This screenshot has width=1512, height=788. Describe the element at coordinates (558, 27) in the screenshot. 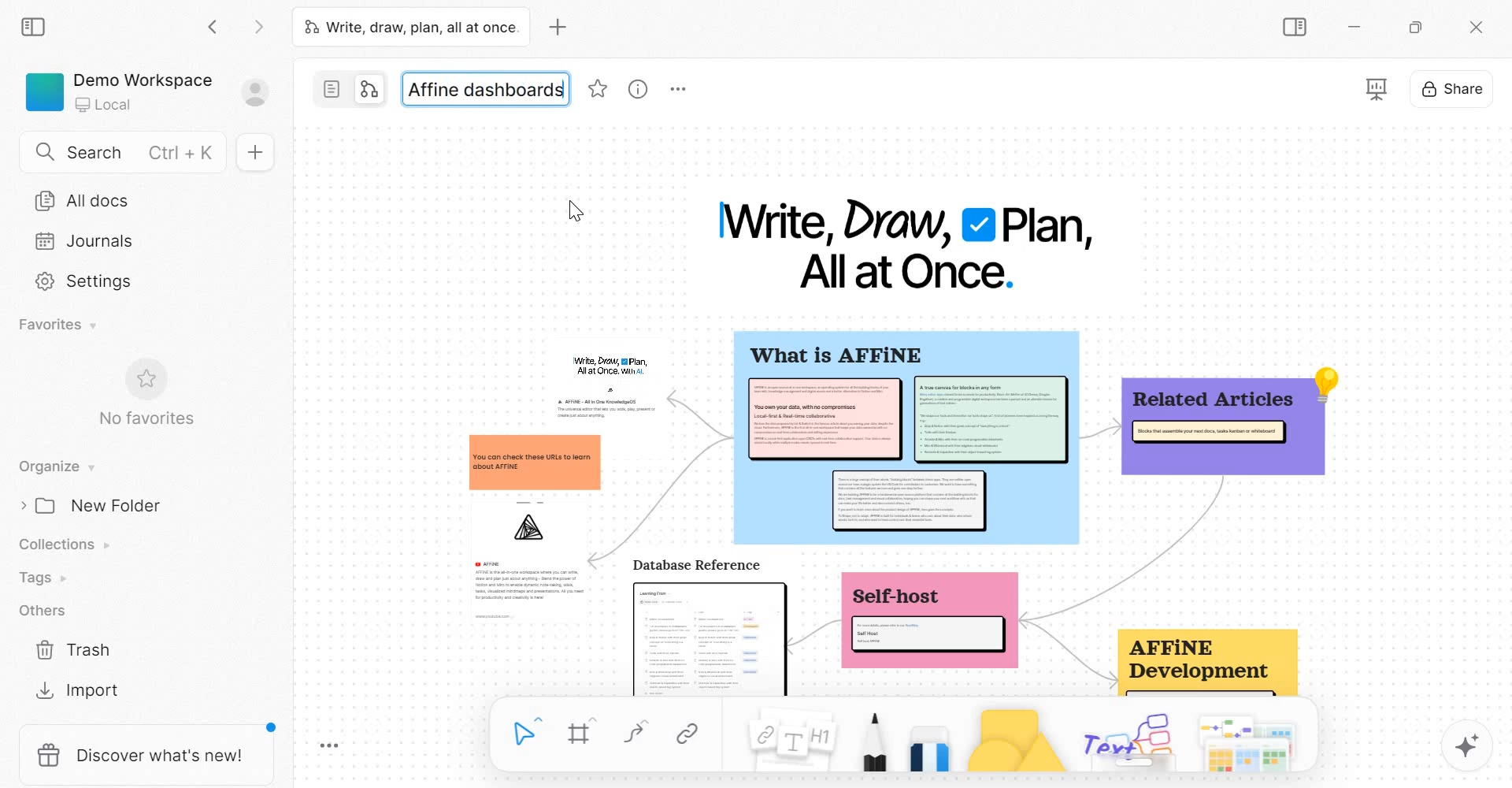

I see `new tab` at that location.